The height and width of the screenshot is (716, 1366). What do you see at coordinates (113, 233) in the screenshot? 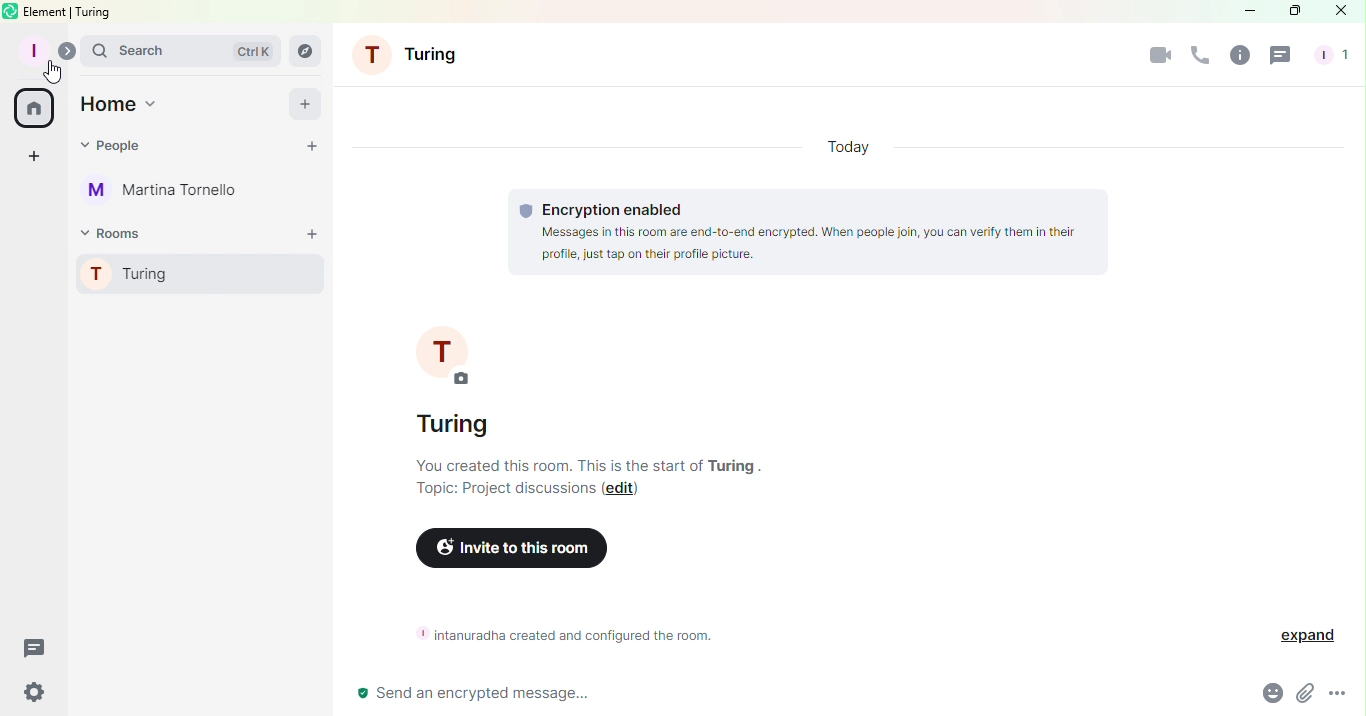
I see `Rooms` at bounding box center [113, 233].